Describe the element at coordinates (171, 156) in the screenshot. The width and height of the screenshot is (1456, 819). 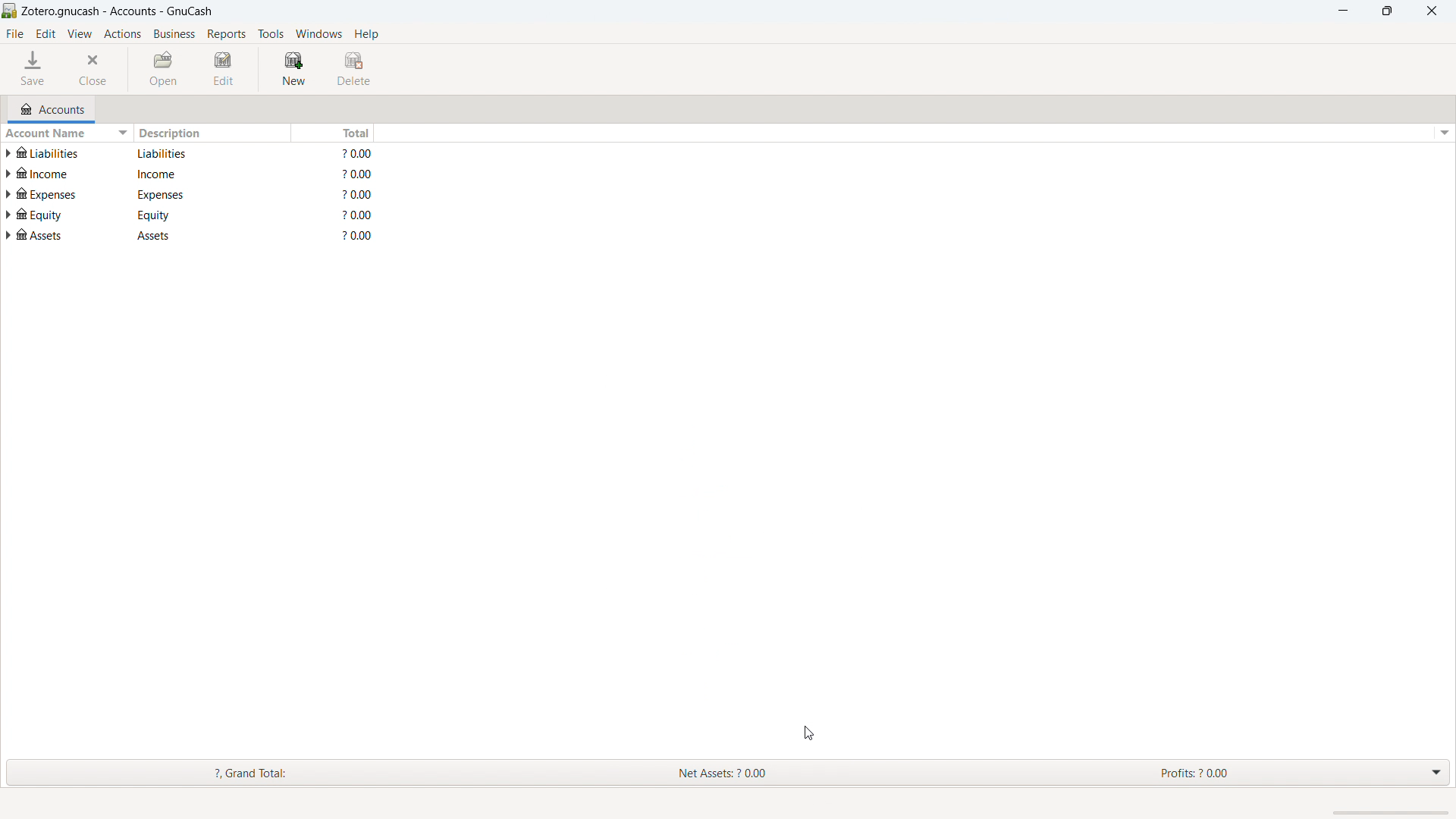
I see `description` at that location.